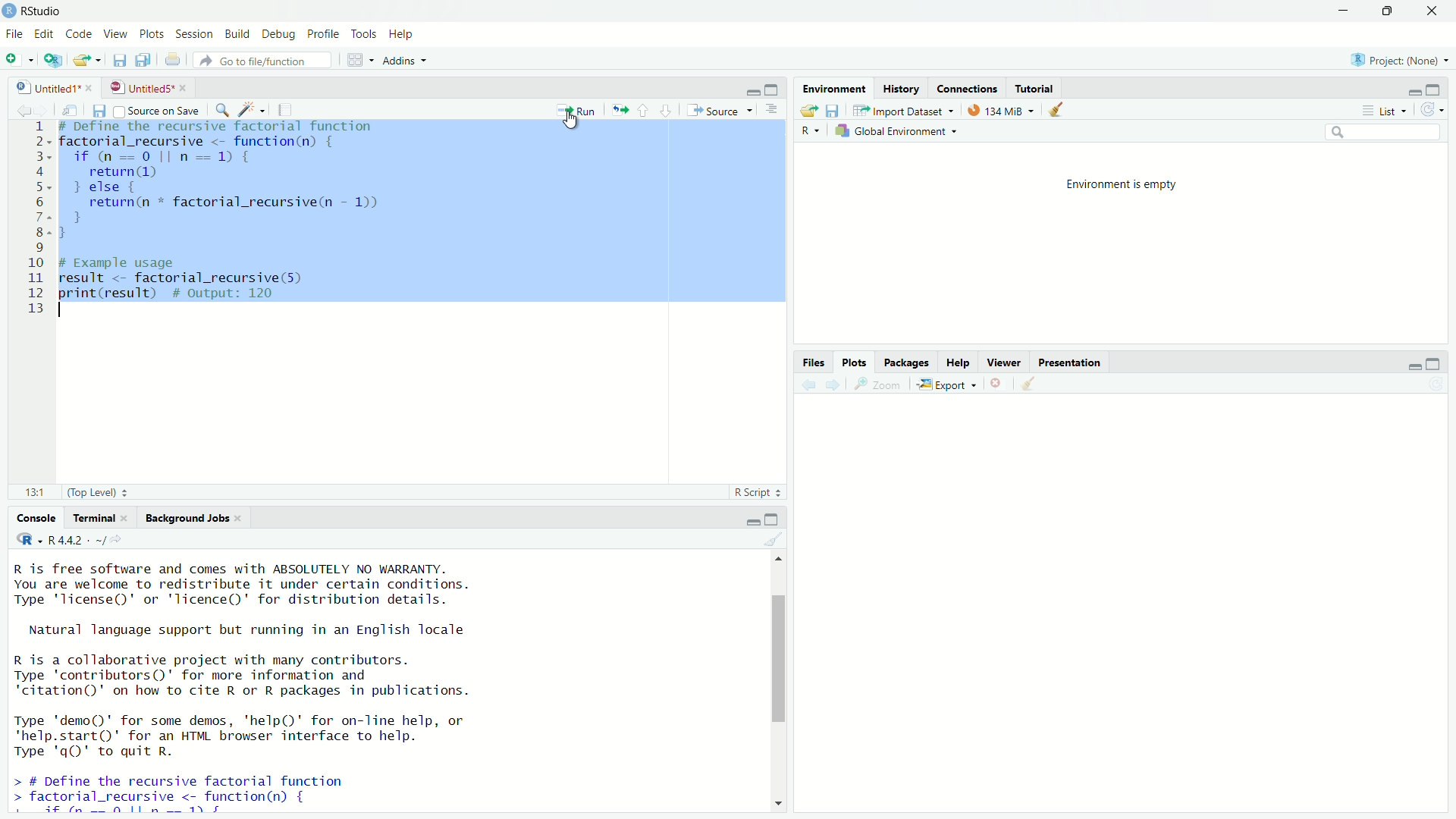  Describe the element at coordinates (960, 361) in the screenshot. I see `Help` at that location.